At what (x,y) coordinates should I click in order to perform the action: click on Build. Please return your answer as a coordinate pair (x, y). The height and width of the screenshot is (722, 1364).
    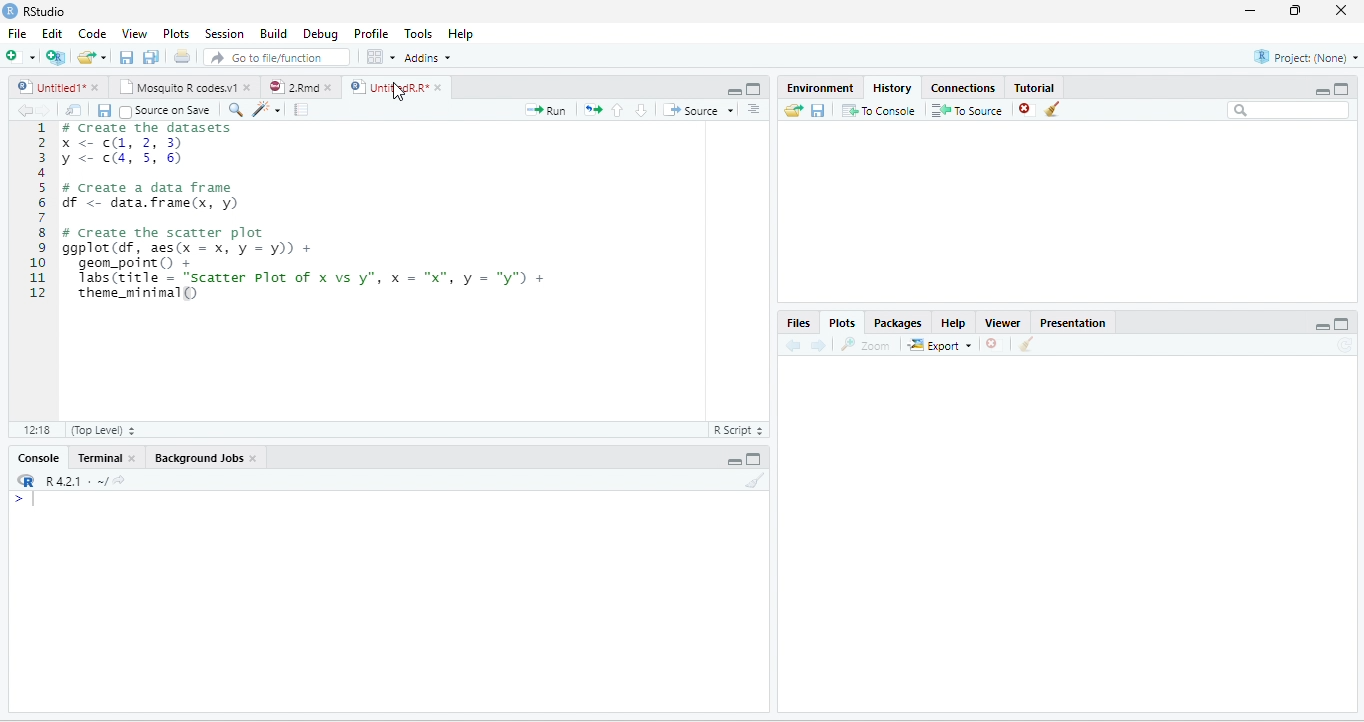
    Looking at the image, I should click on (272, 32).